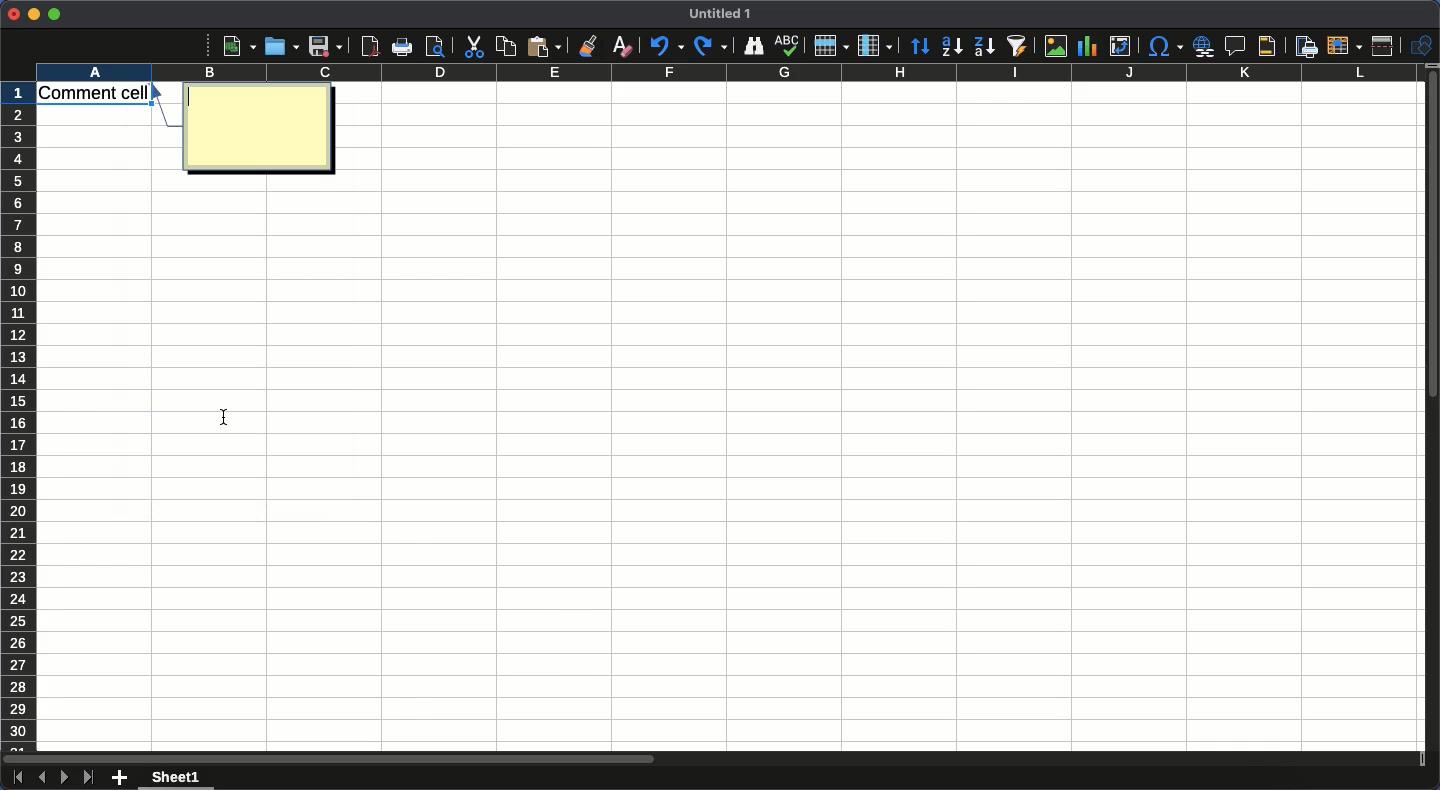  I want to click on Insert edit or pivot table, so click(1120, 45).